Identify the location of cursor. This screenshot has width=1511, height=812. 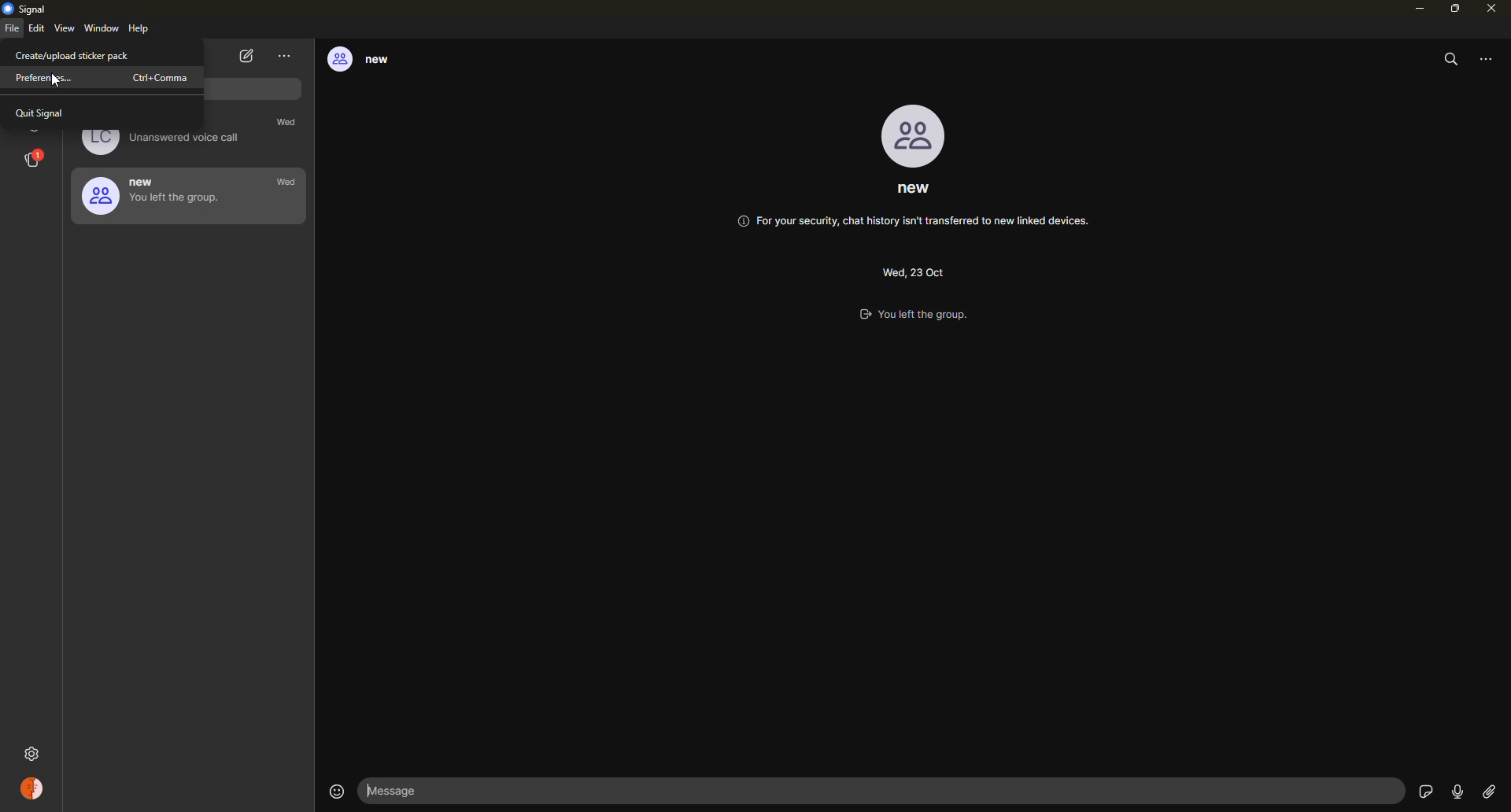
(50, 83).